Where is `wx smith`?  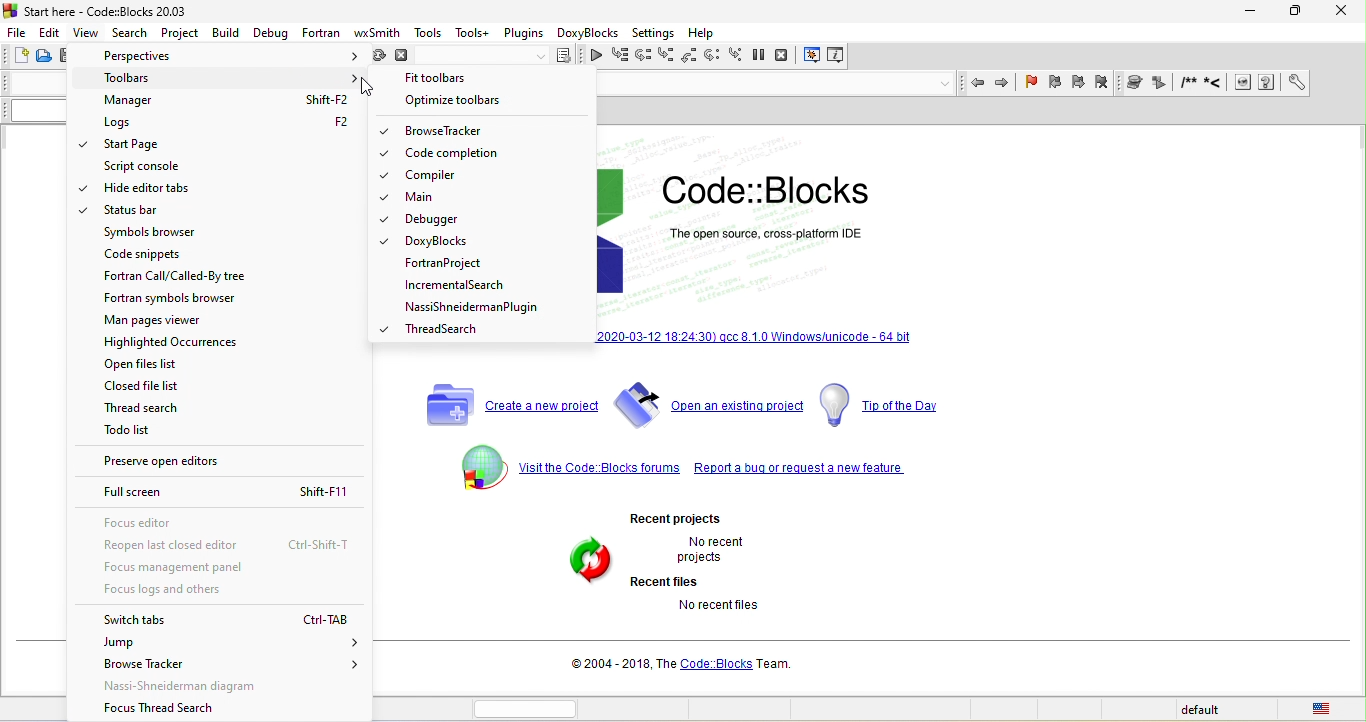 wx smith is located at coordinates (375, 33).